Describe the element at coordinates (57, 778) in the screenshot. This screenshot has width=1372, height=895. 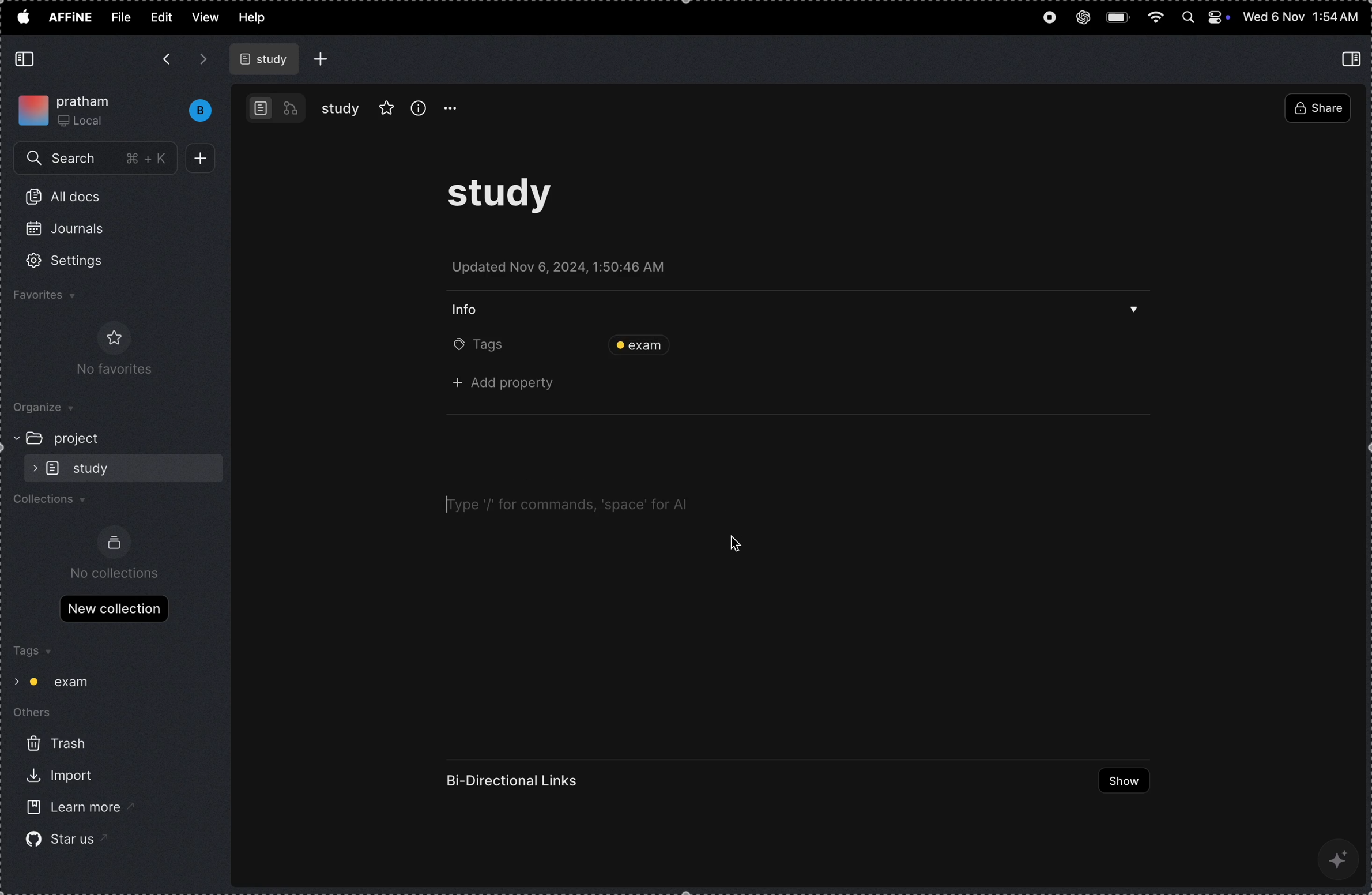
I see `import` at that location.